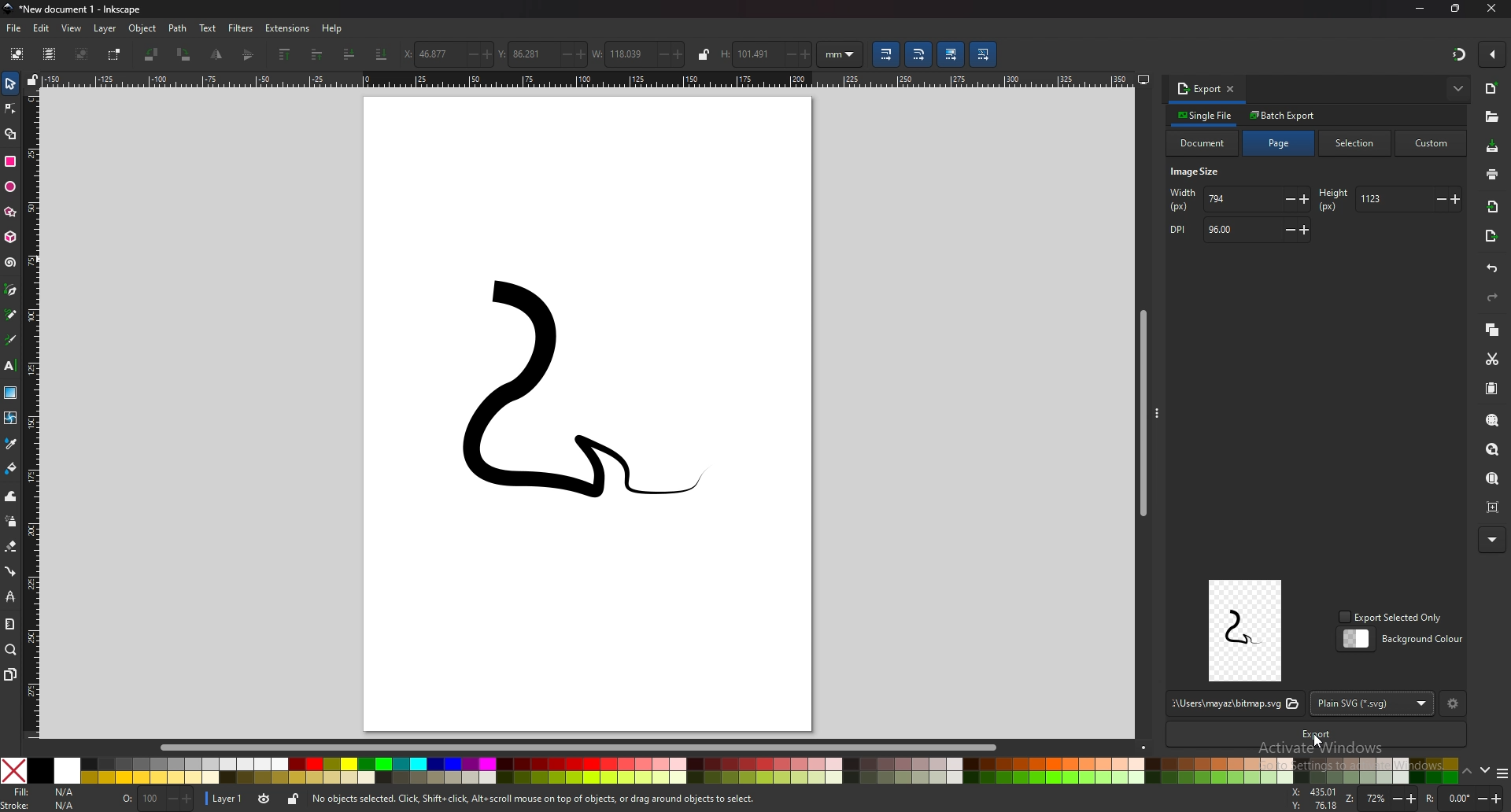 The image size is (1511, 812). I want to click on rotation, so click(1462, 798).